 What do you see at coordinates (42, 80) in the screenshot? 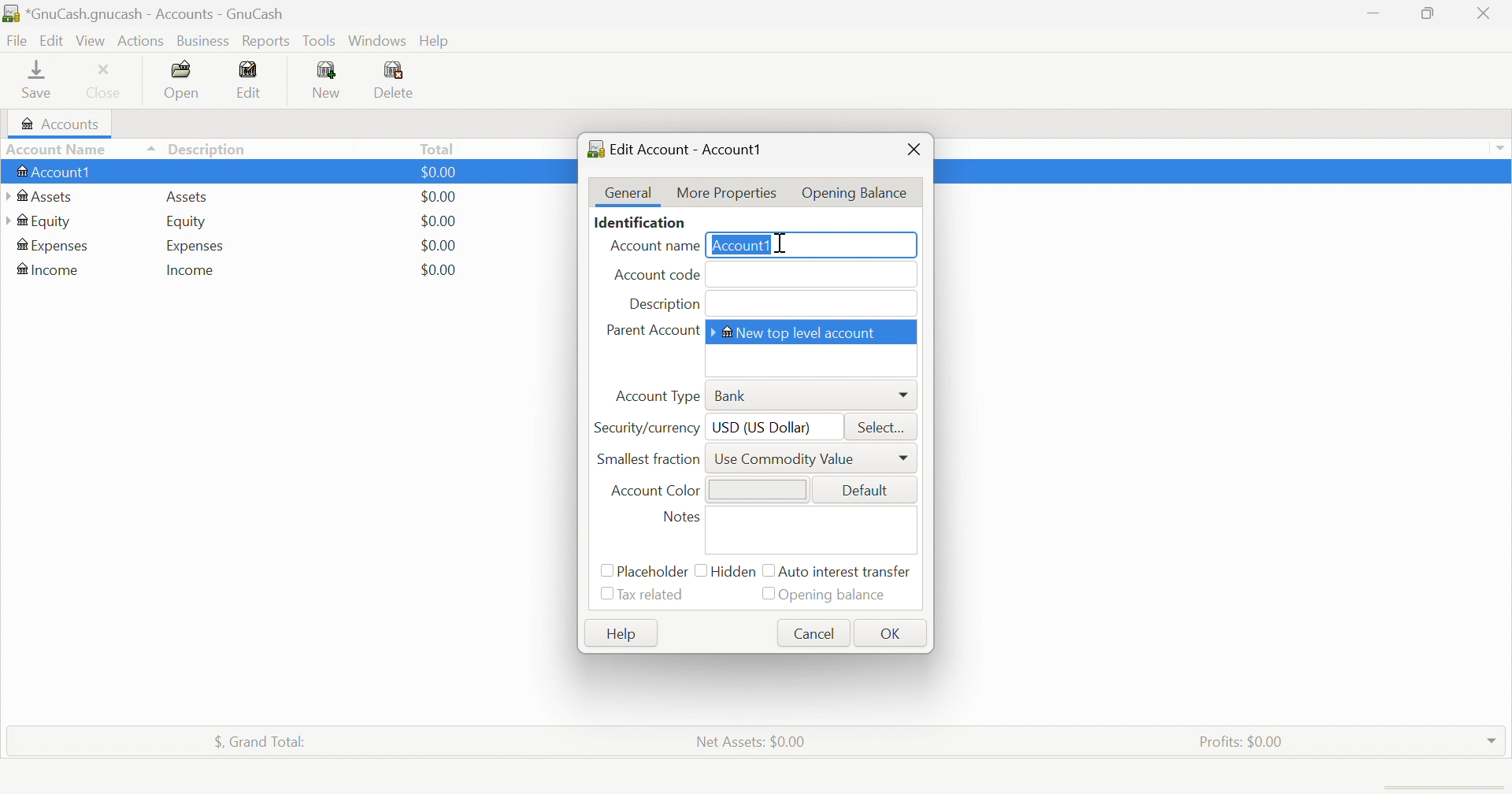
I see `Save` at bounding box center [42, 80].